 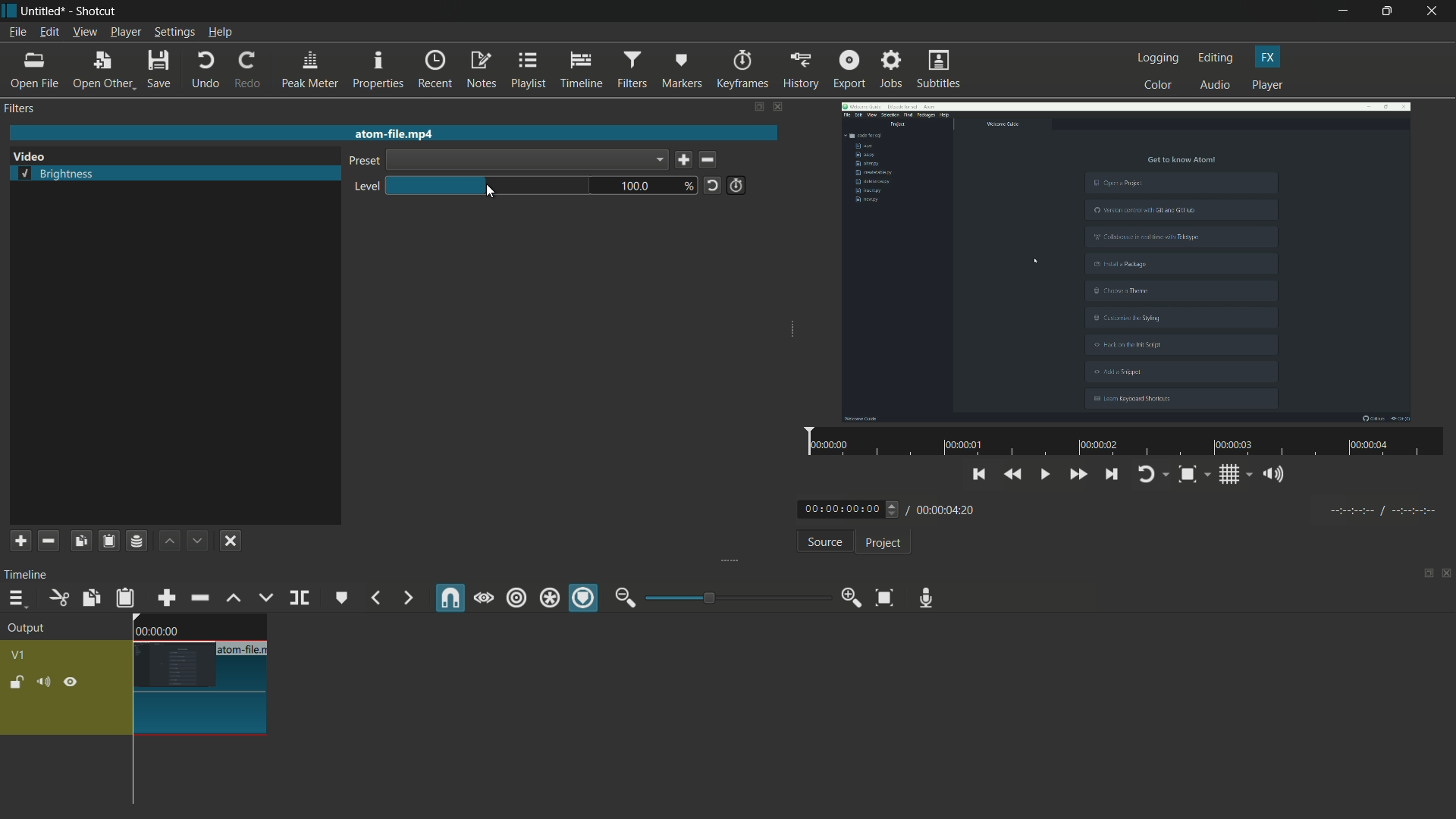 I want to click on toggle zoom, so click(x=1193, y=475).